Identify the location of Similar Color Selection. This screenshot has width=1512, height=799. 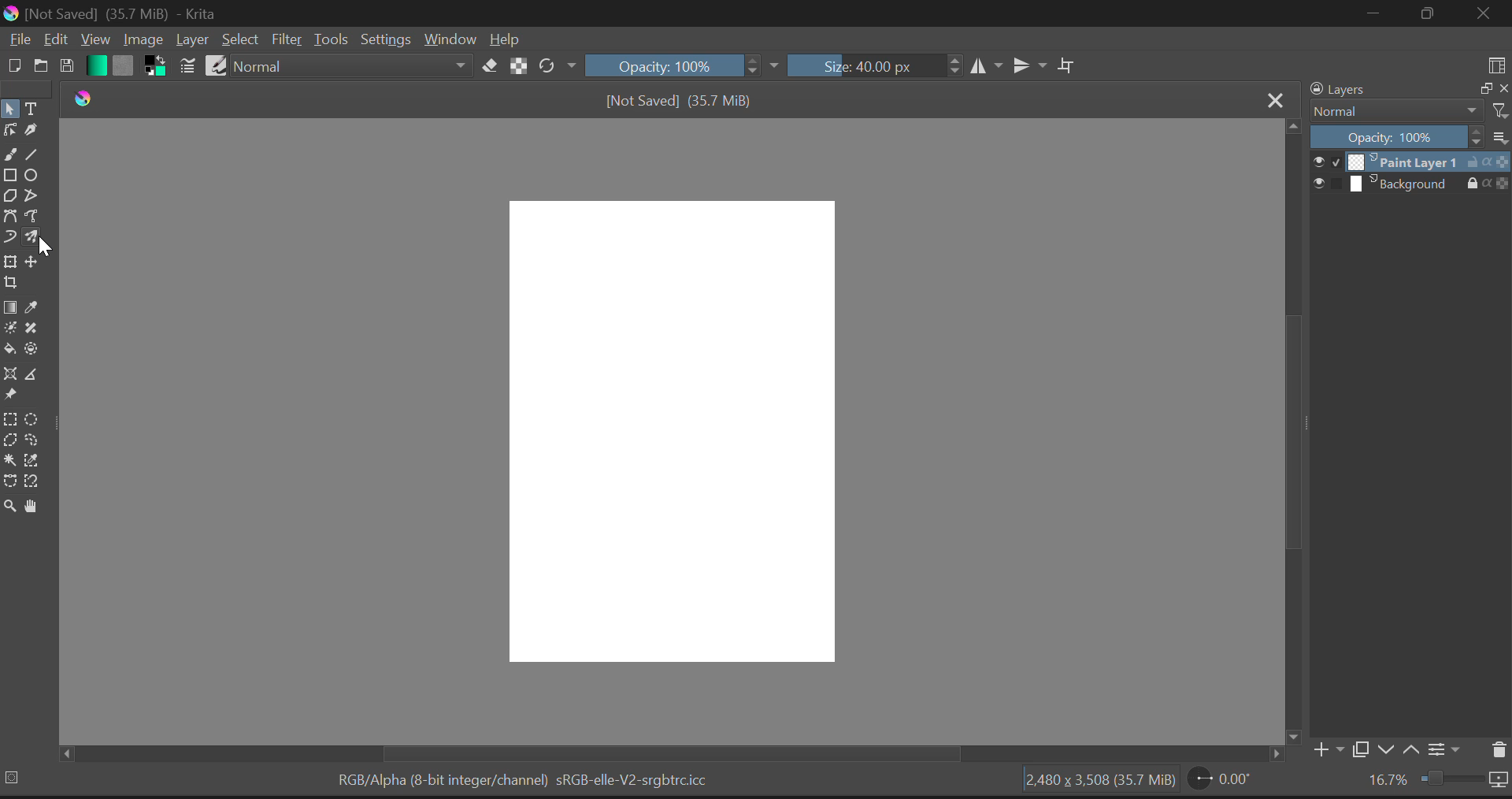
(39, 463).